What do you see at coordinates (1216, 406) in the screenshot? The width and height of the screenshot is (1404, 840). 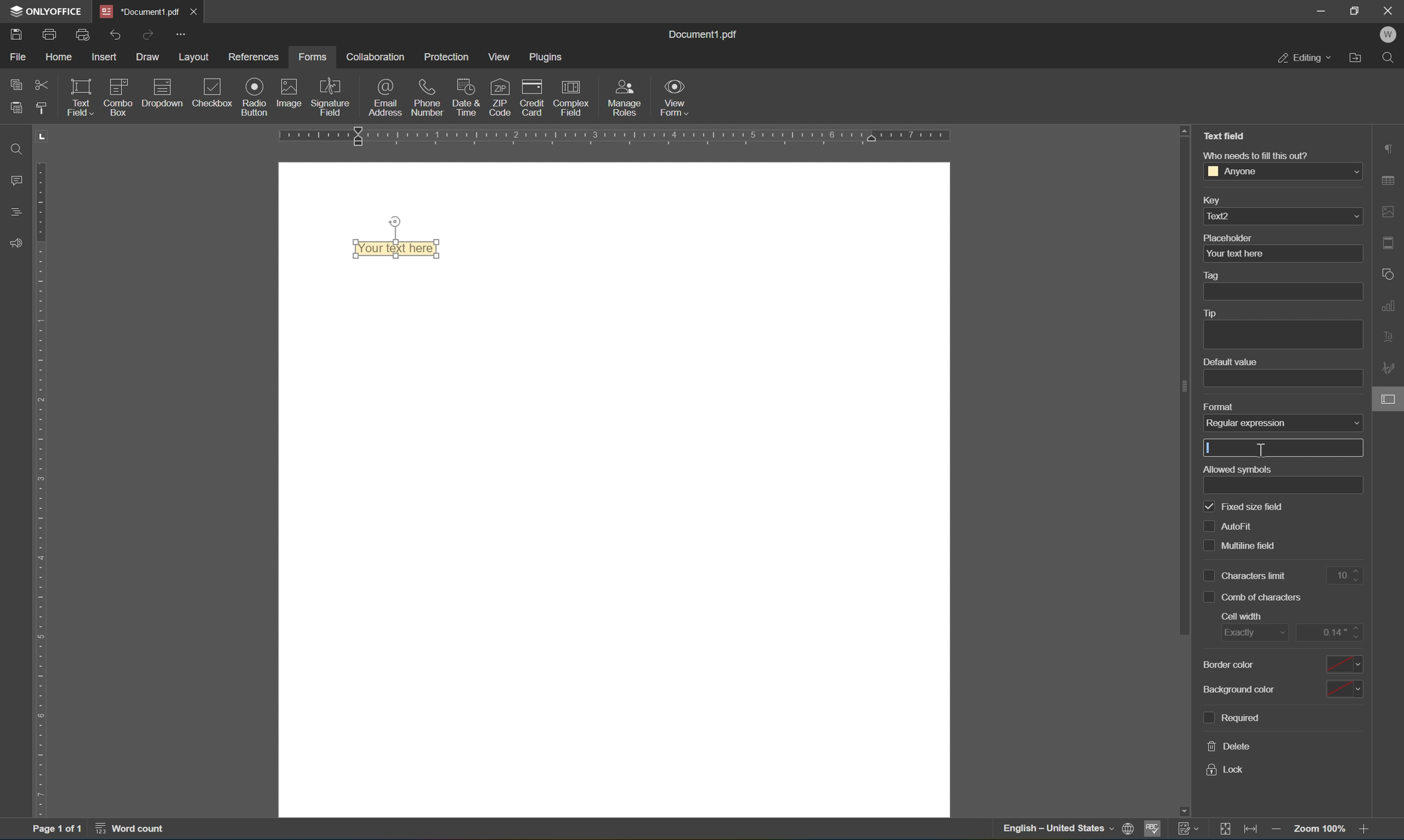 I see `format` at bounding box center [1216, 406].